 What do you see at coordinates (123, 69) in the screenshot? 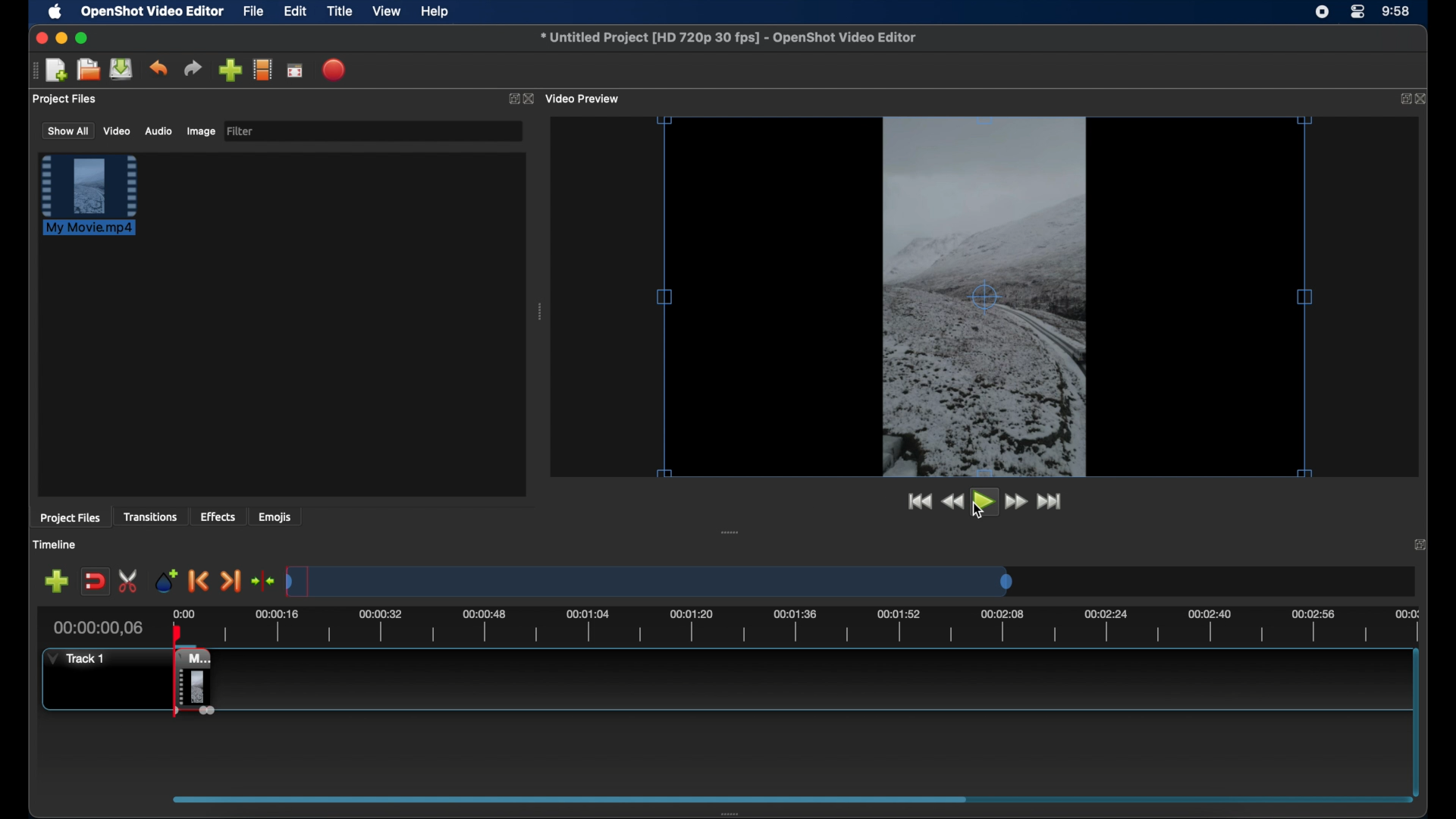
I see `save files` at bounding box center [123, 69].